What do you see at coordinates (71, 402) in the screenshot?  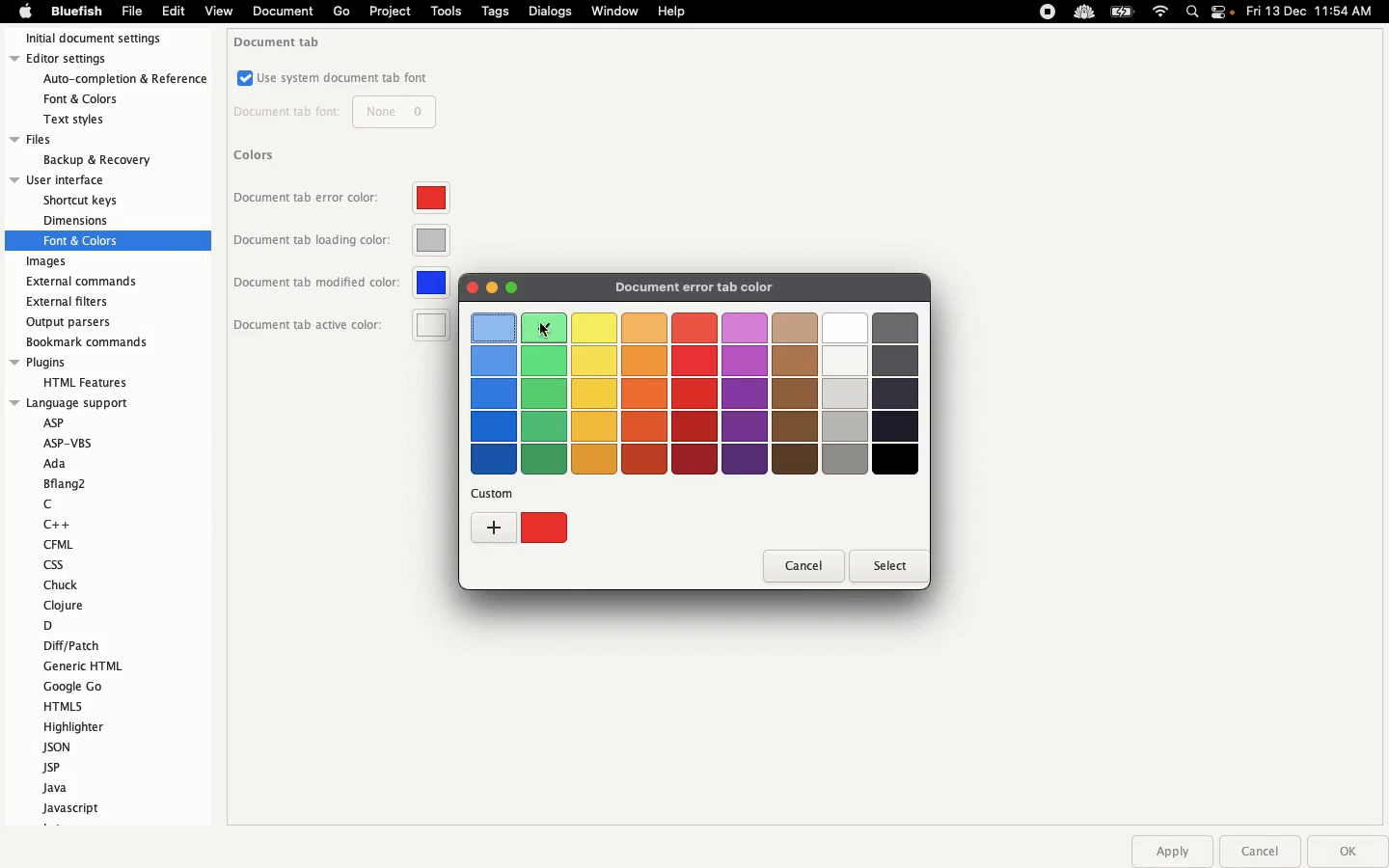 I see `language support` at bounding box center [71, 402].